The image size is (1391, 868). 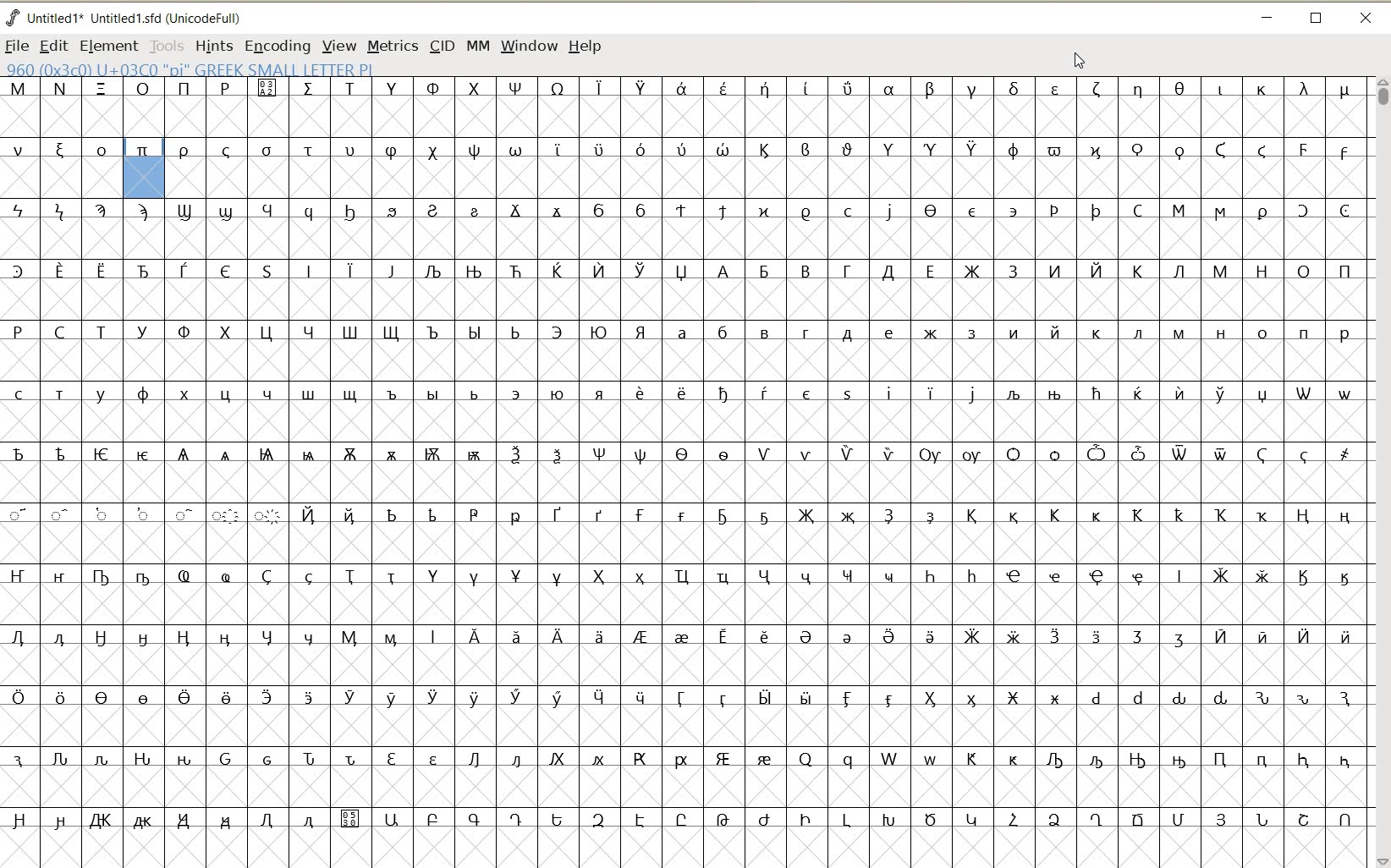 I want to click on GLYPHY INFO, so click(x=190, y=68).